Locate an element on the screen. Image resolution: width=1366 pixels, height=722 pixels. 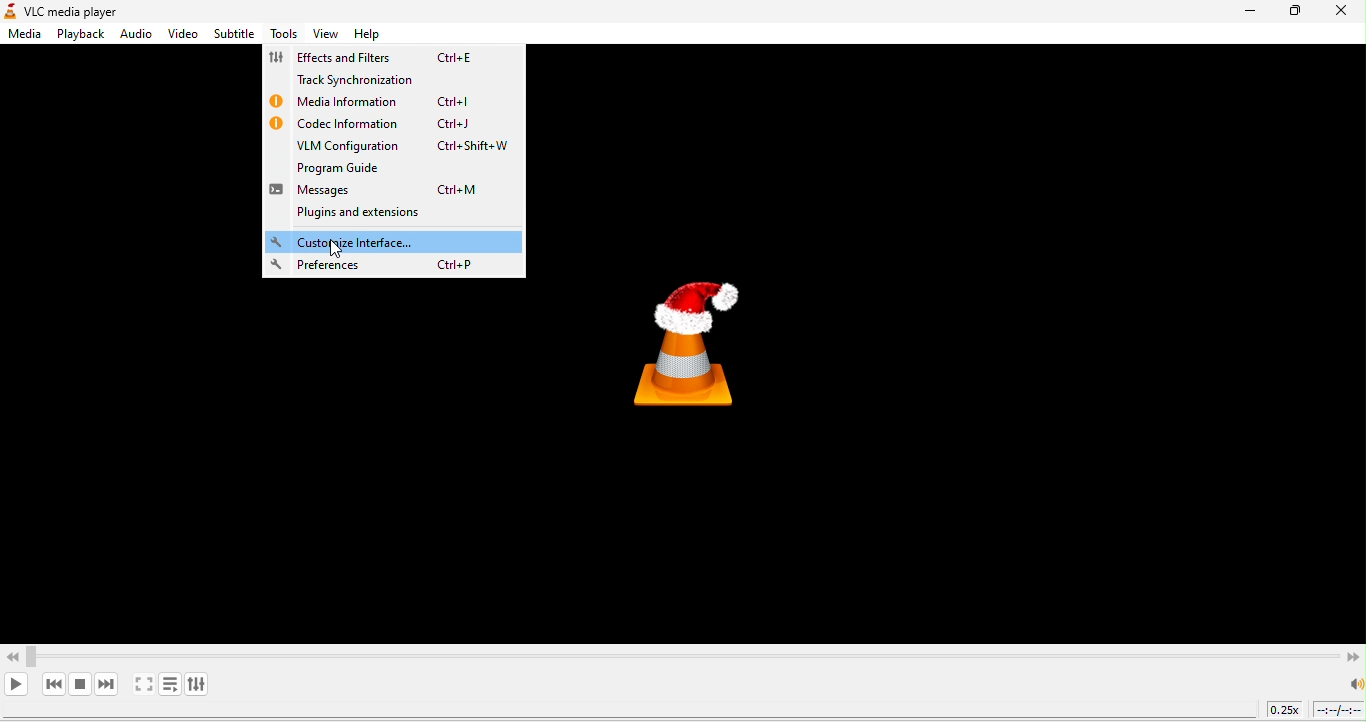
timeline is located at coordinates (1339, 710).